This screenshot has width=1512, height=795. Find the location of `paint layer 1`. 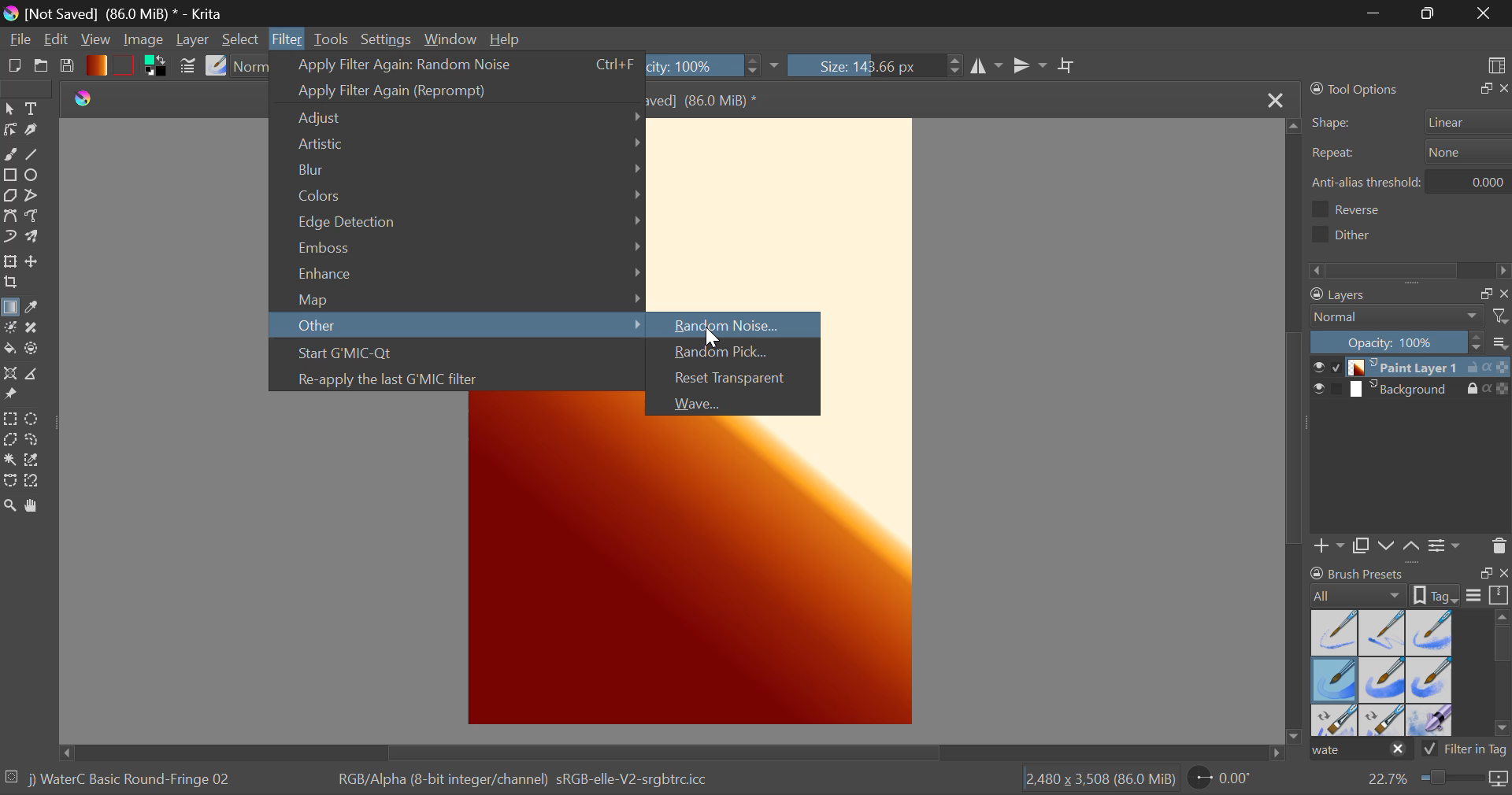

paint layer 1 is located at coordinates (1407, 368).